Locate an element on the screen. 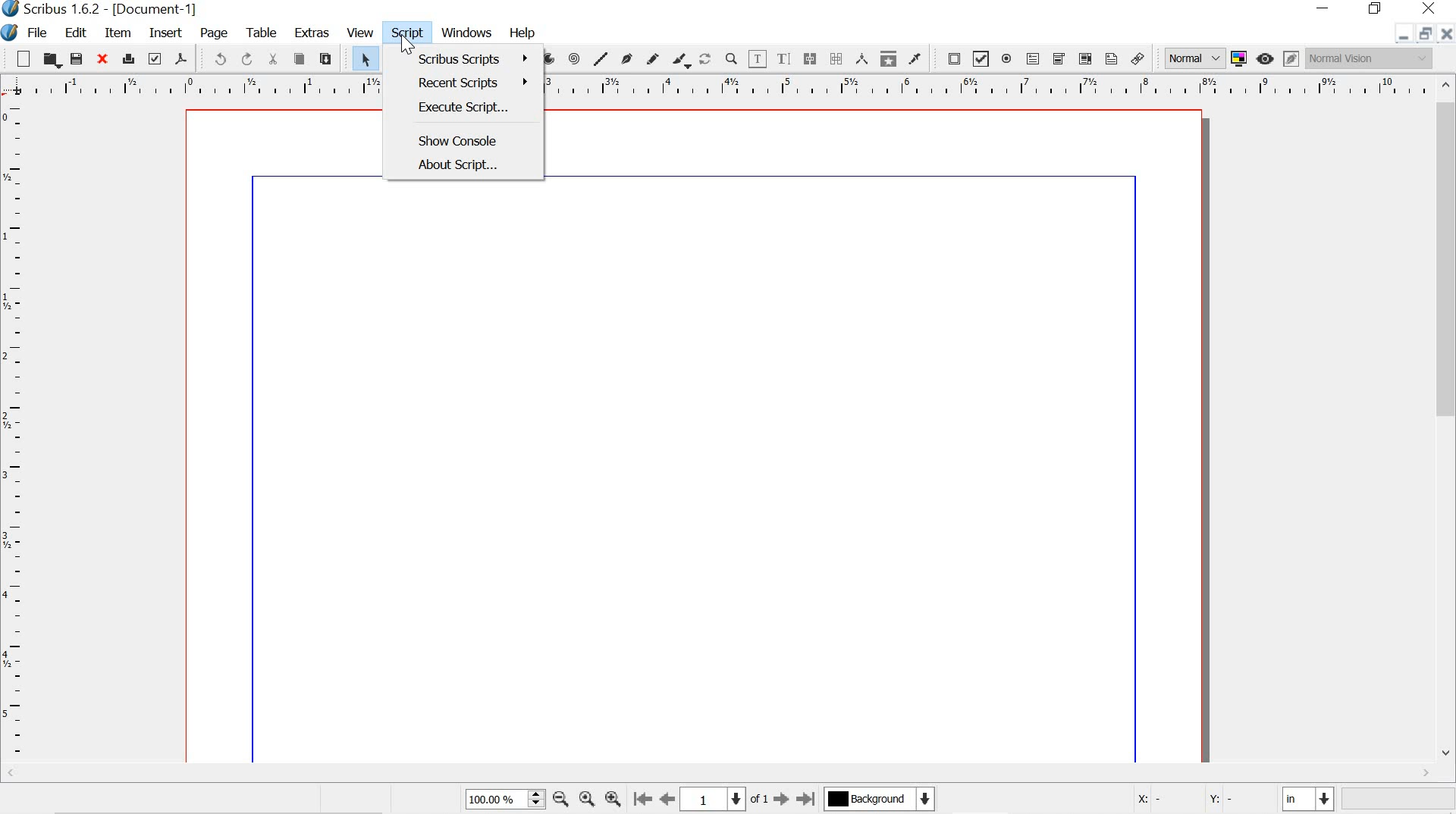  copy is located at coordinates (299, 59).